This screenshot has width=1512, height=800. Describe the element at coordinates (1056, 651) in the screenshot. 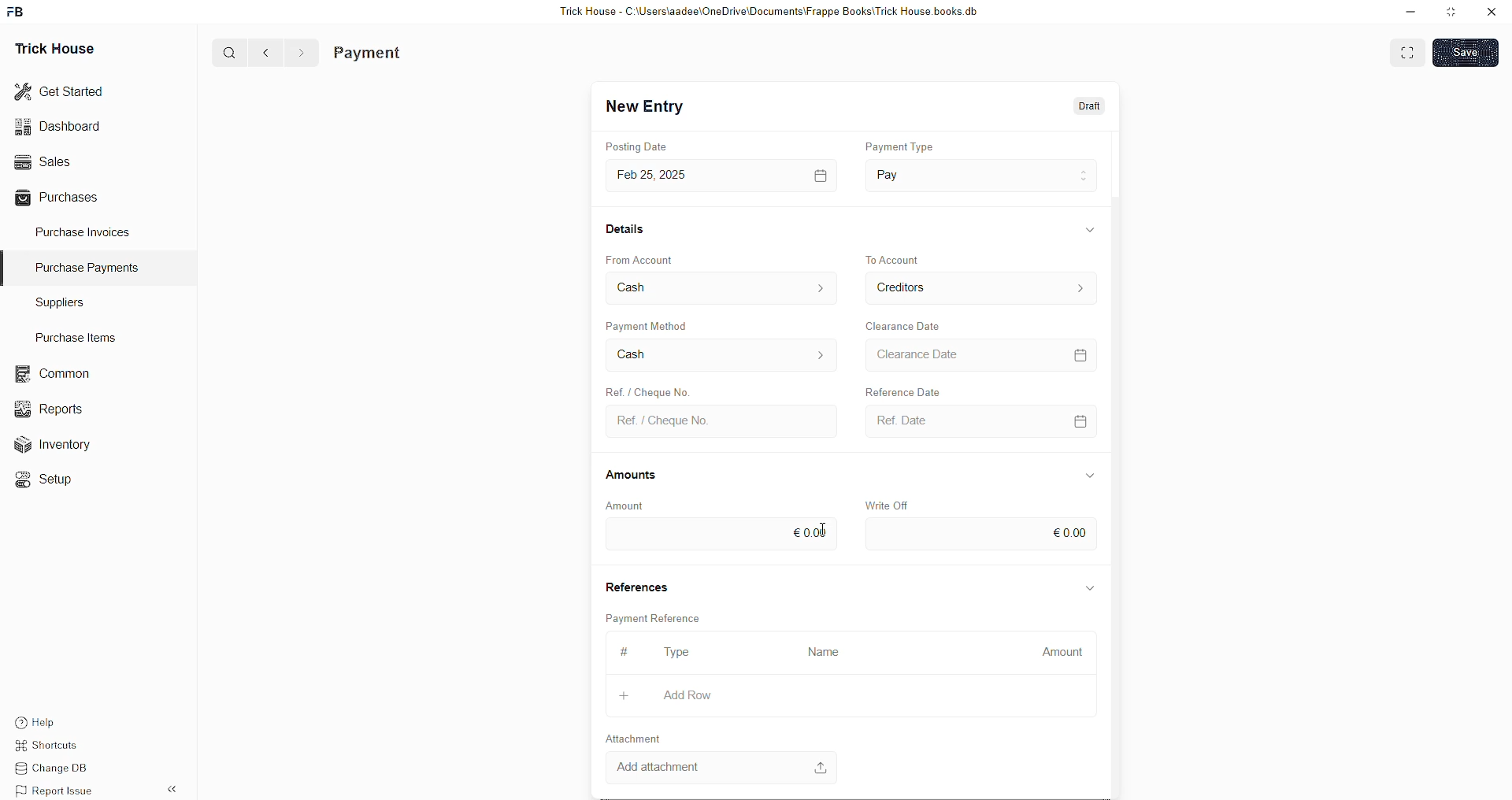

I see `Amount` at that location.